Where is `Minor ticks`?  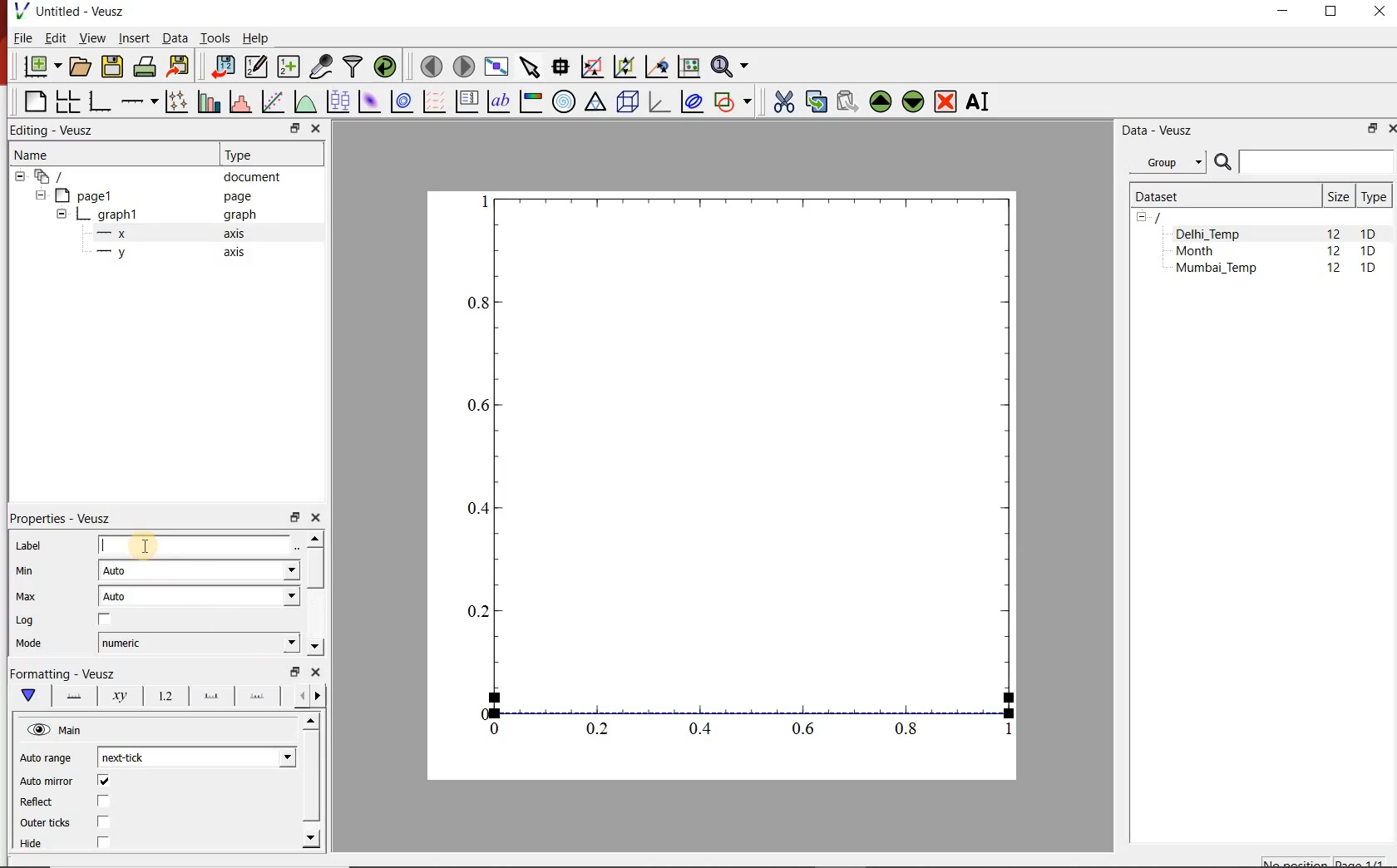 Minor ticks is located at coordinates (259, 696).